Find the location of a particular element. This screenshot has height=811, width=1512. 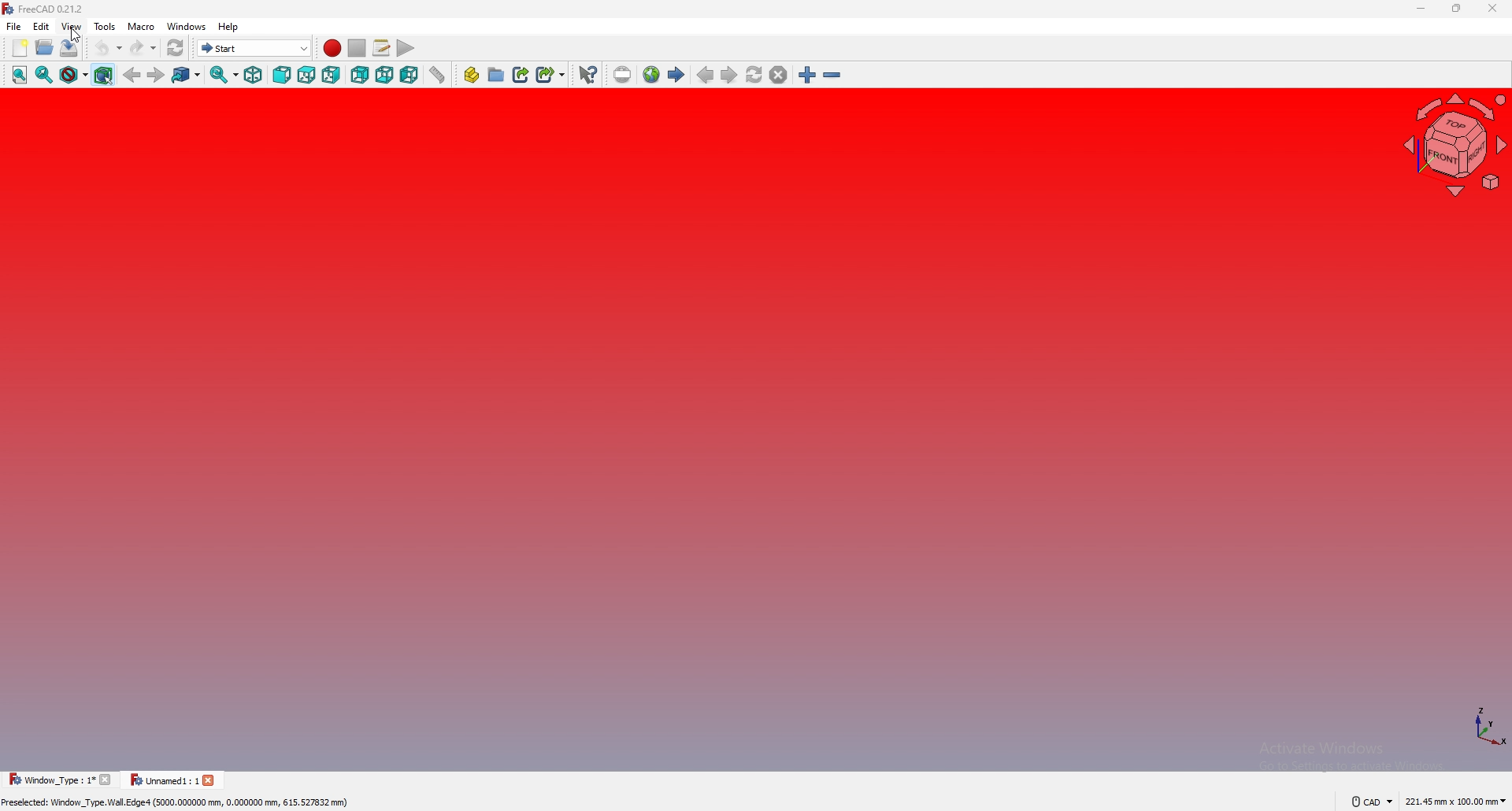

resize is located at coordinates (1457, 9).